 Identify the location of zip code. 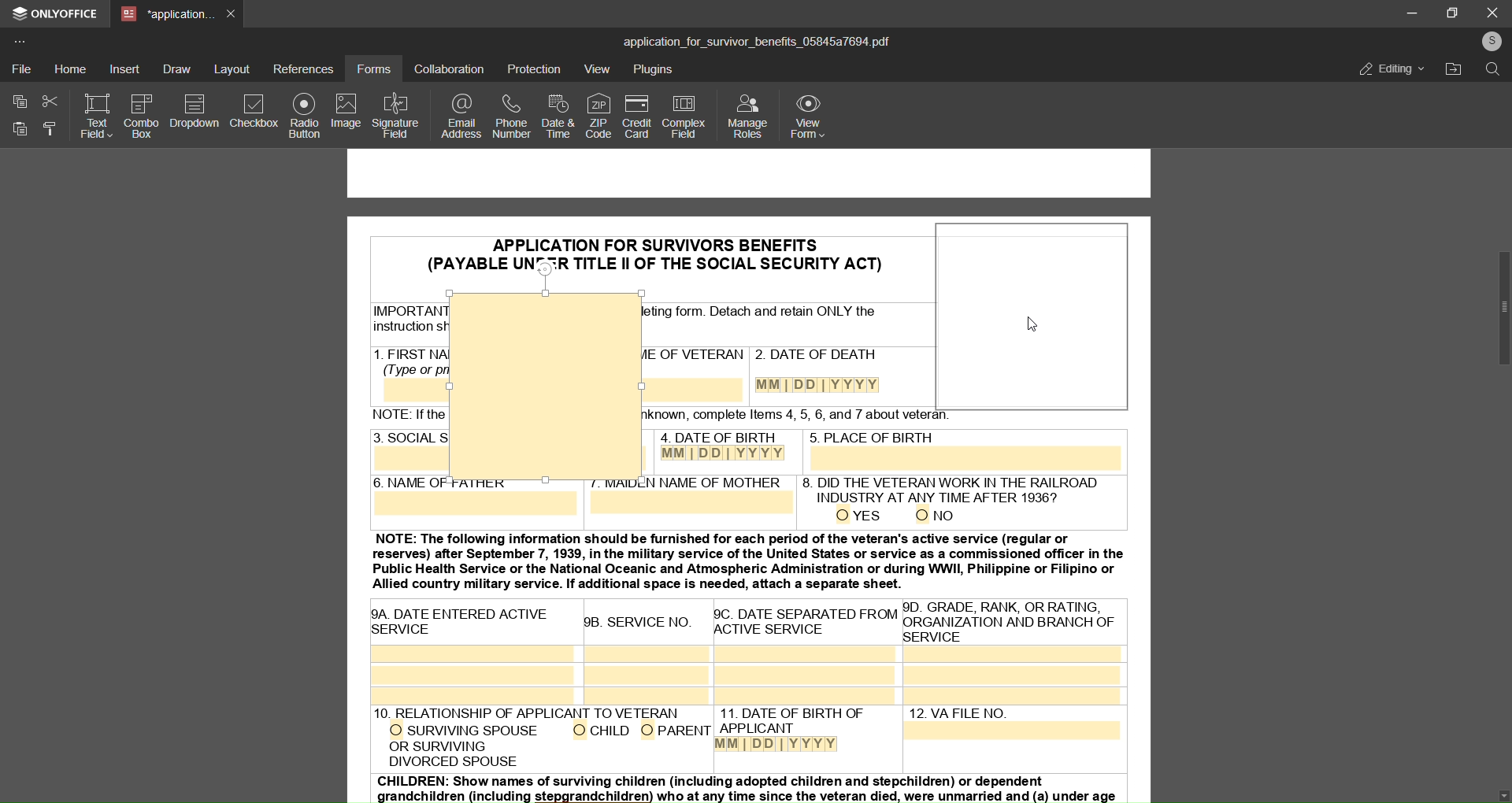
(596, 114).